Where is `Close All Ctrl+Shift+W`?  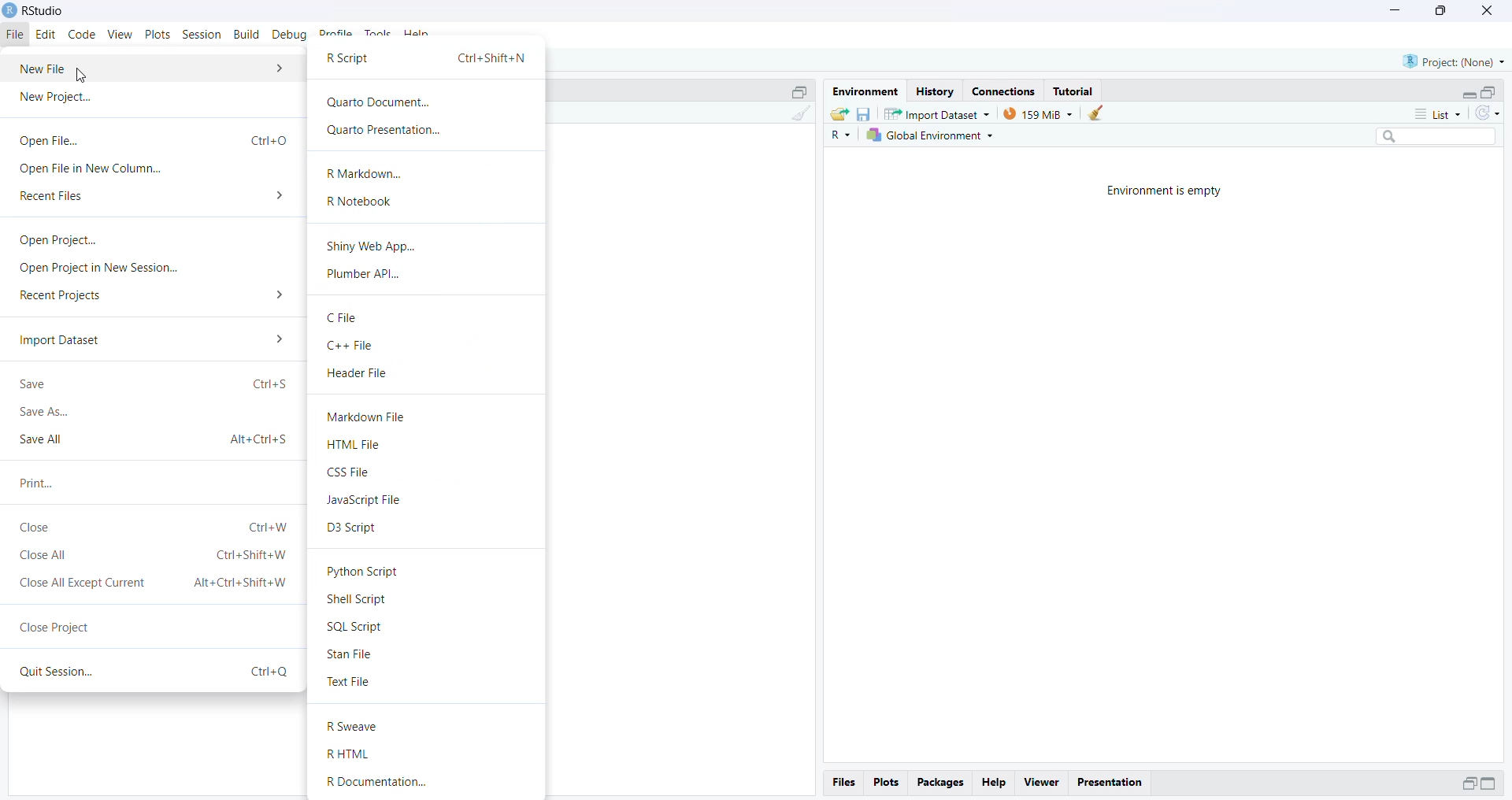
Close All Ctrl+Shift+W is located at coordinates (153, 557).